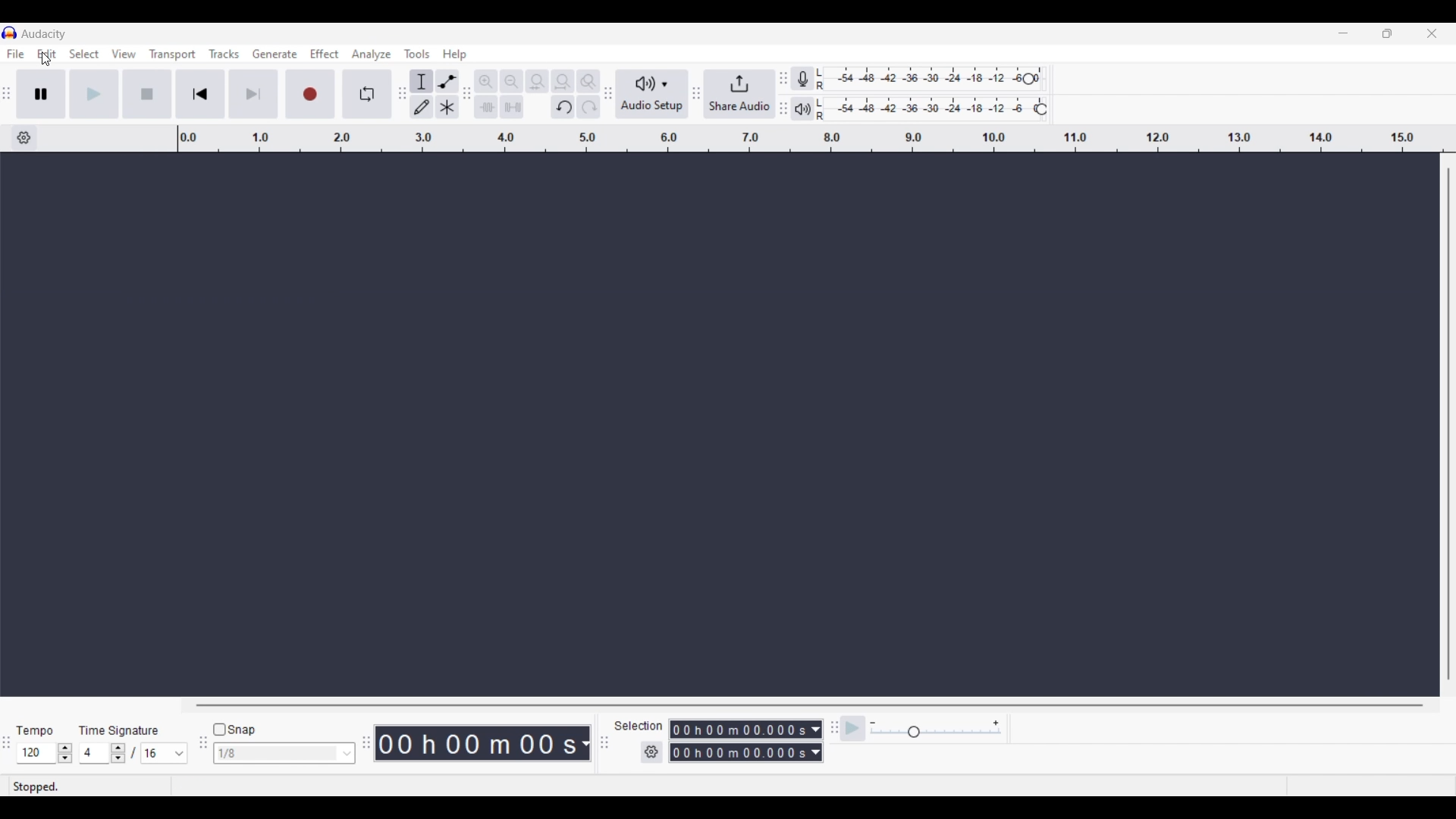 Image resolution: width=1456 pixels, height=819 pixels. What do you see at coordinates (24, 138) in the screenshot?
I see `Timeline options` at bounding box center [24, 138].